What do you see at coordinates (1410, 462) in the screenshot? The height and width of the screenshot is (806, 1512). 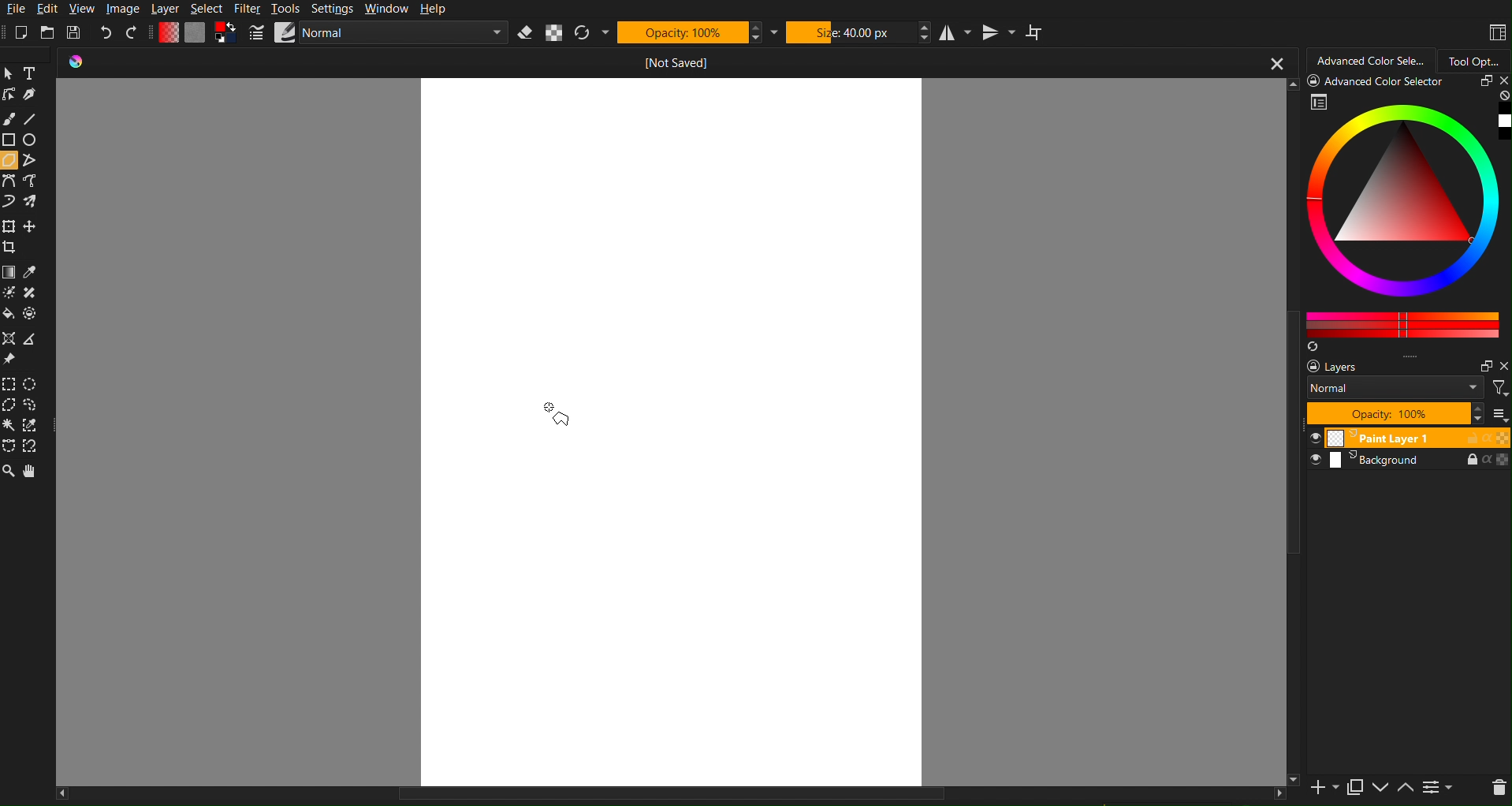 I see `background` at bounding box center [1410, 462].